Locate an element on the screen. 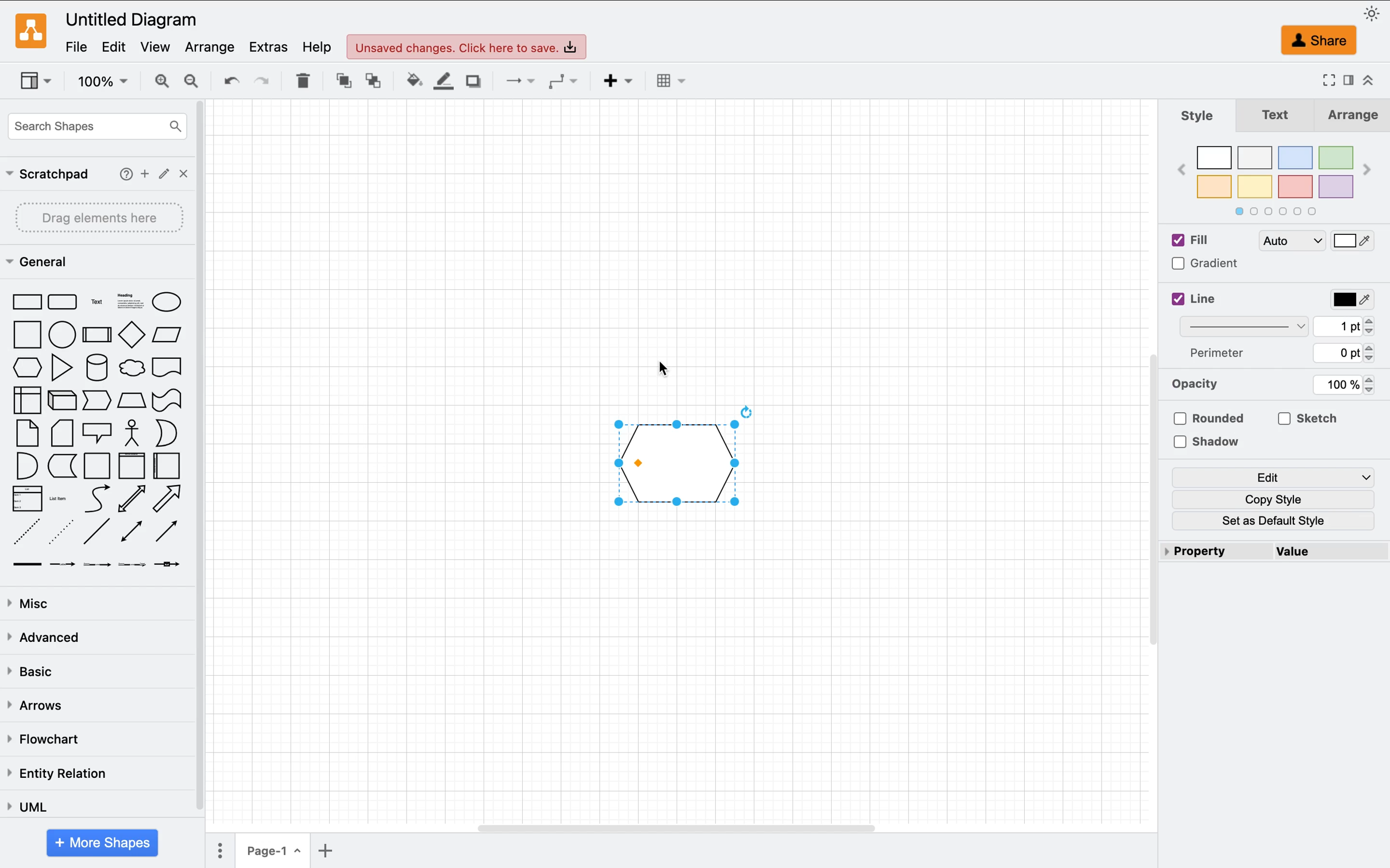 This screenshot has width=1390, height=868. scratchpad is located at coordinates (46, 173).